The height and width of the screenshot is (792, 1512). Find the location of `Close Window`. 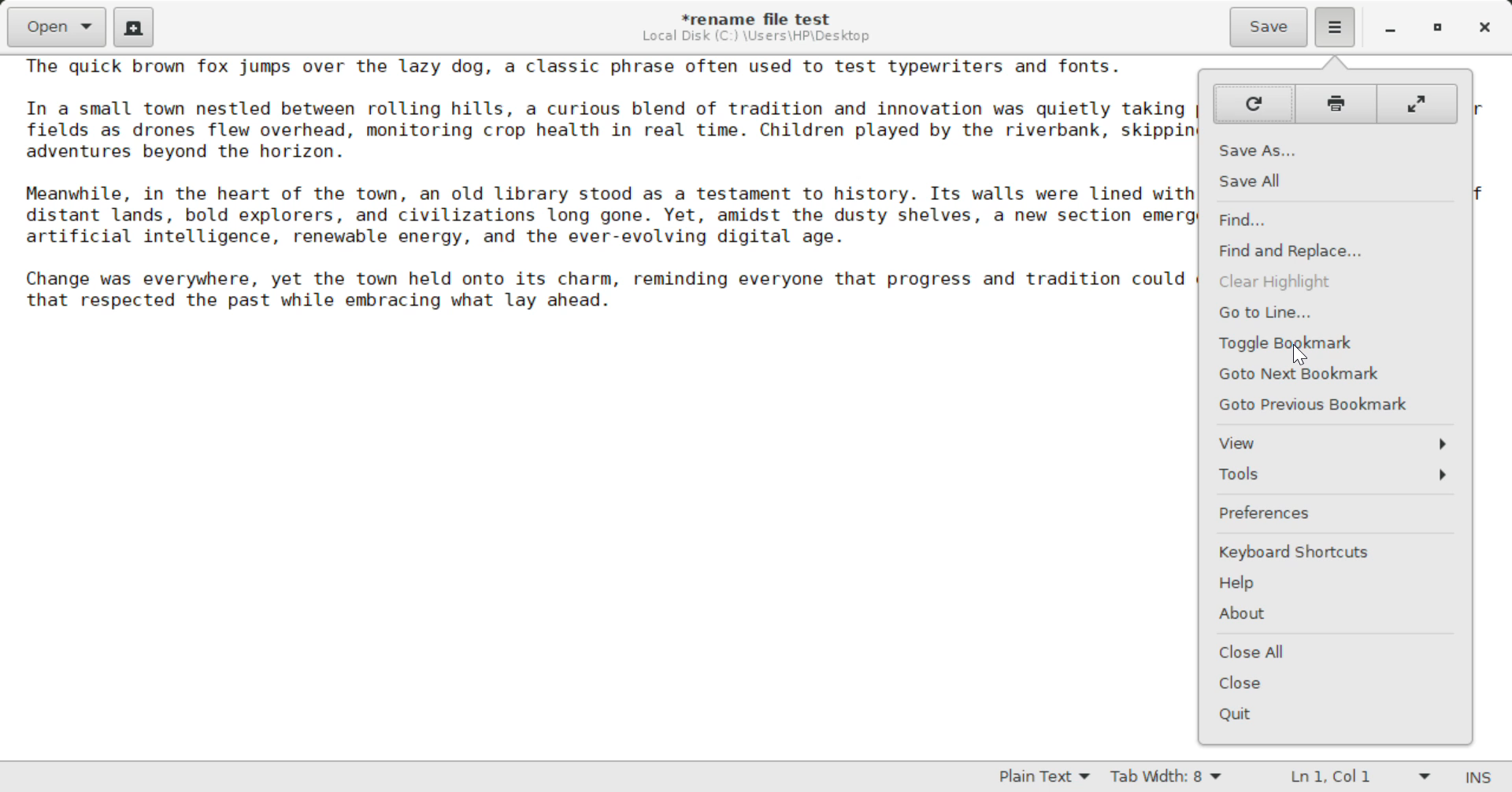

Close Window is located at coordinates (1488, 29).